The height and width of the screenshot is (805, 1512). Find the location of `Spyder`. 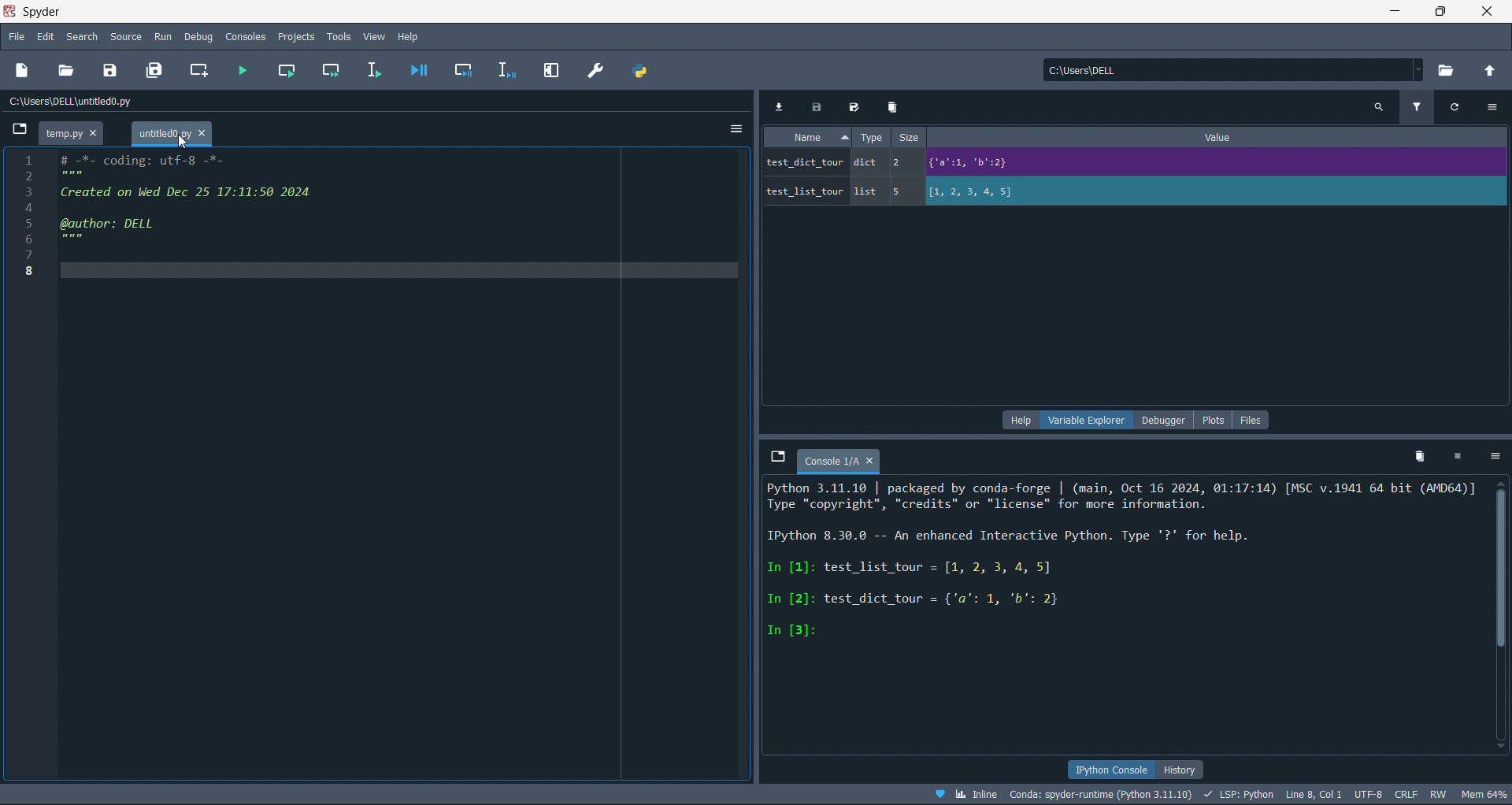

Spyder is located at coordinates (76, 12).